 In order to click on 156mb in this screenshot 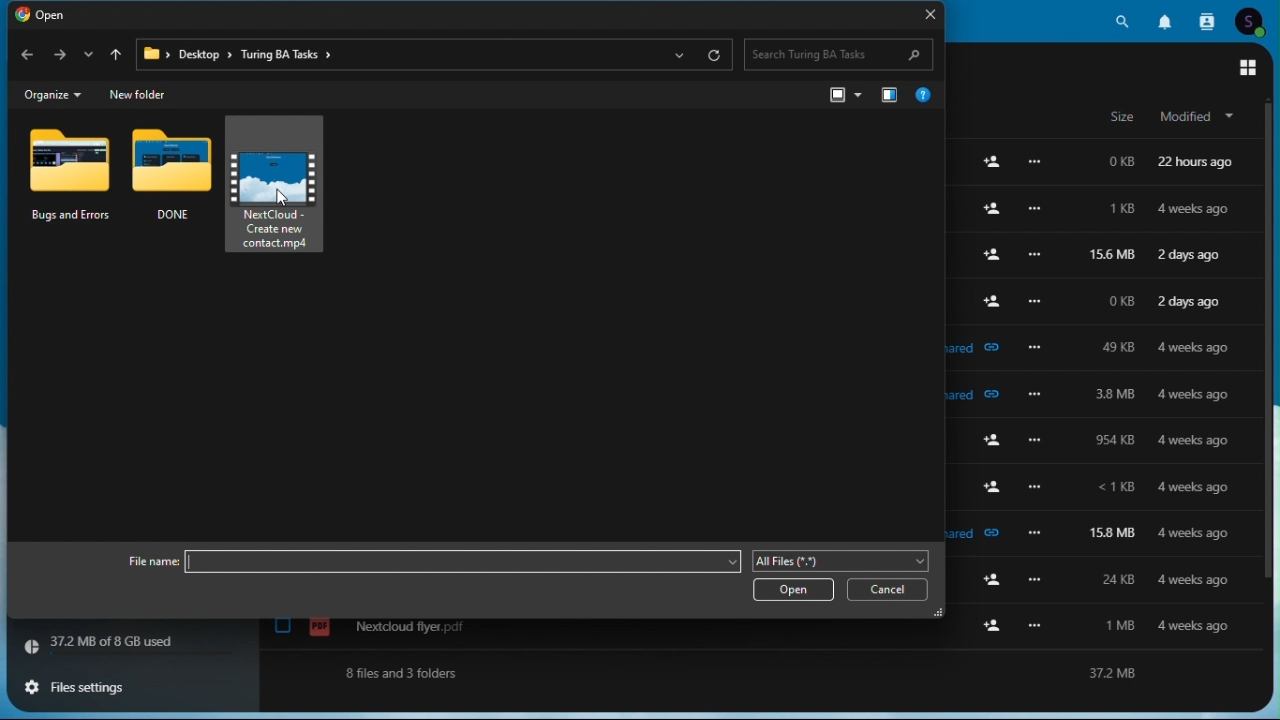, I will do `click(1115, 255)`.